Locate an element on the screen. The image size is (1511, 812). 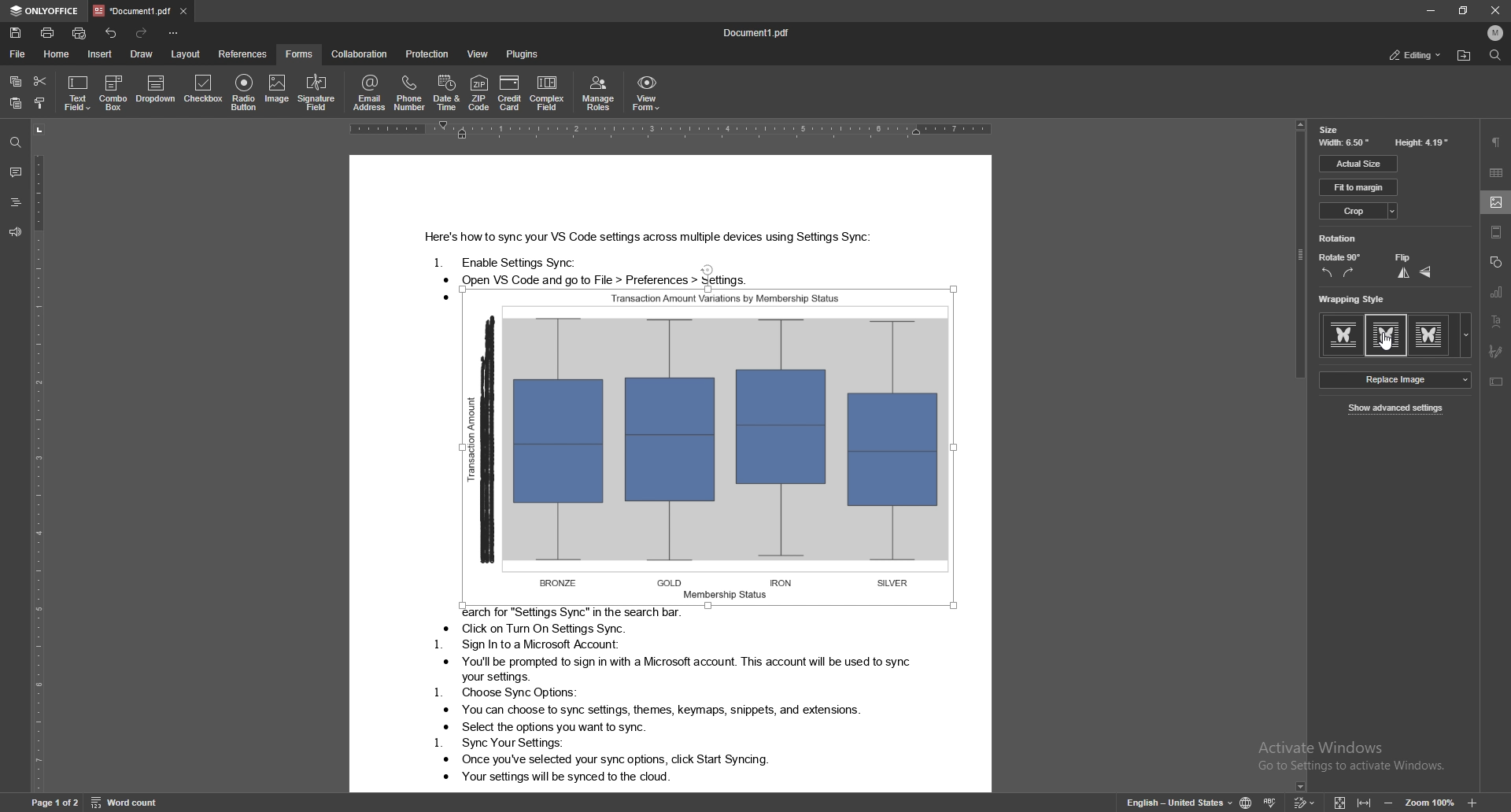
vertical scale is located at coordinates (36, 456).